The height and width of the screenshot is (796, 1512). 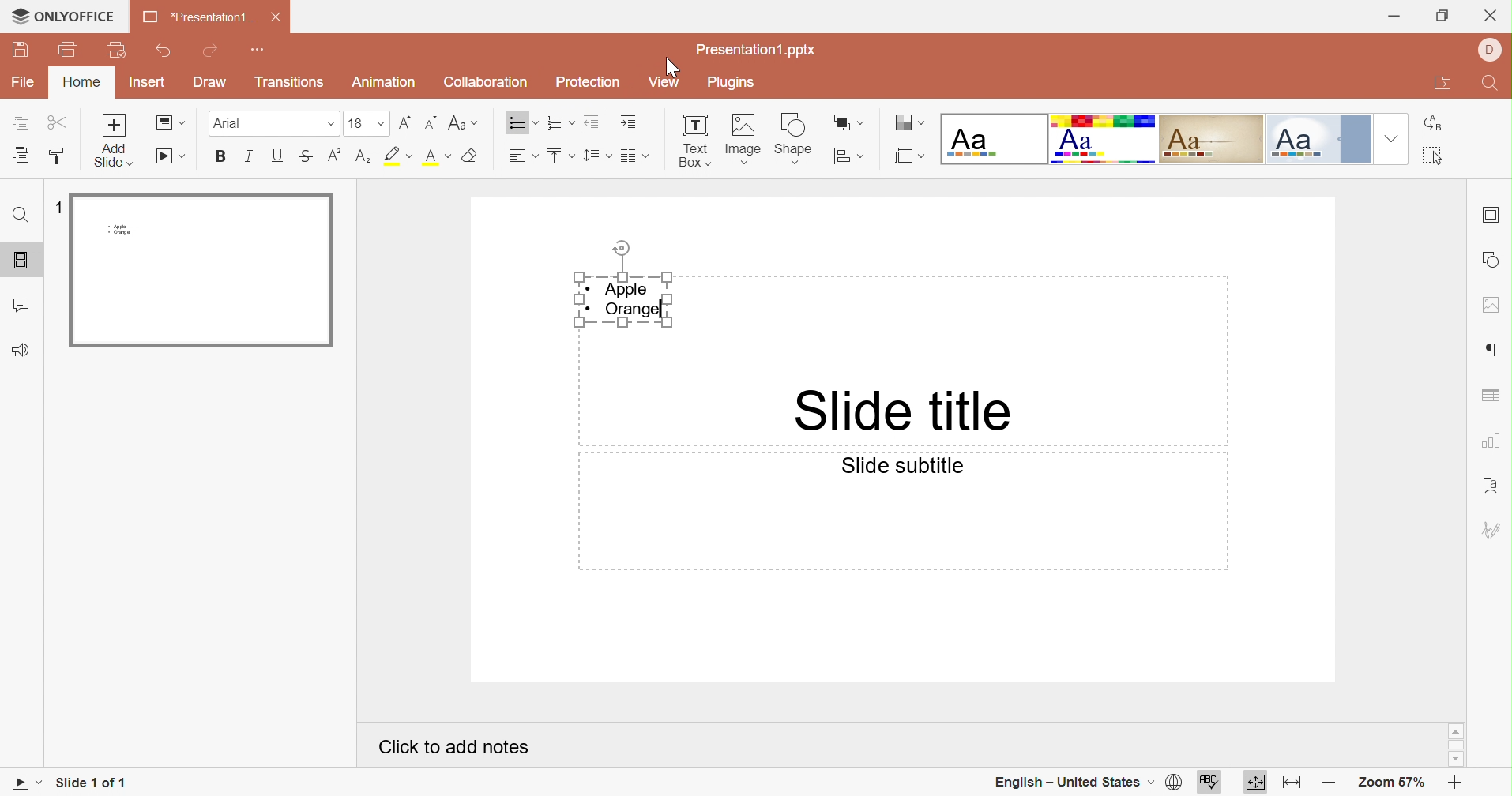 What do you see at coordinates (1214, 783) in the screenshot?
I see `spell checking` at bounding box center [1214, 783].